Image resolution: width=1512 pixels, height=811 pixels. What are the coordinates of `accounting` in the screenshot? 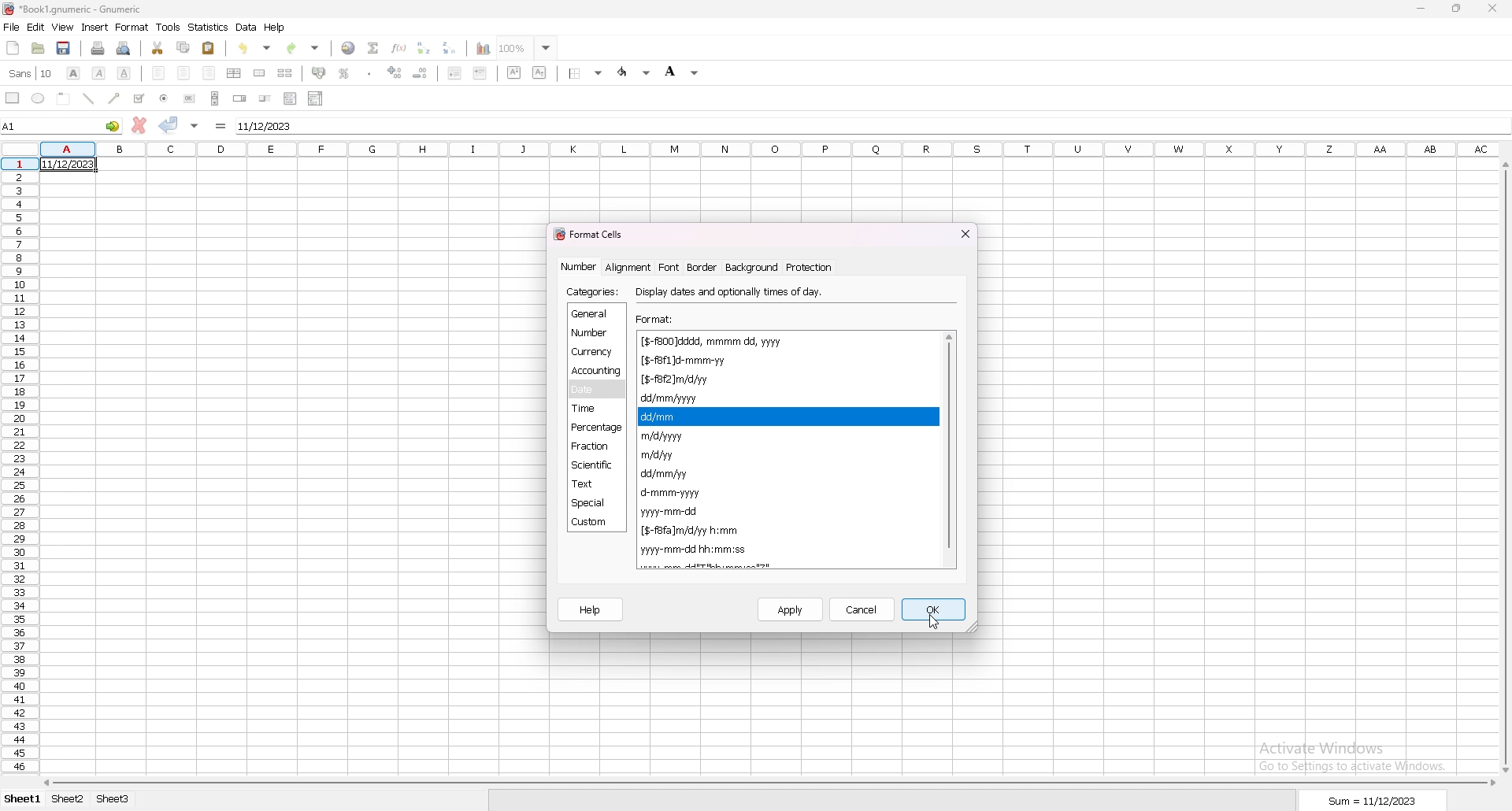 It's located at (319, 72).